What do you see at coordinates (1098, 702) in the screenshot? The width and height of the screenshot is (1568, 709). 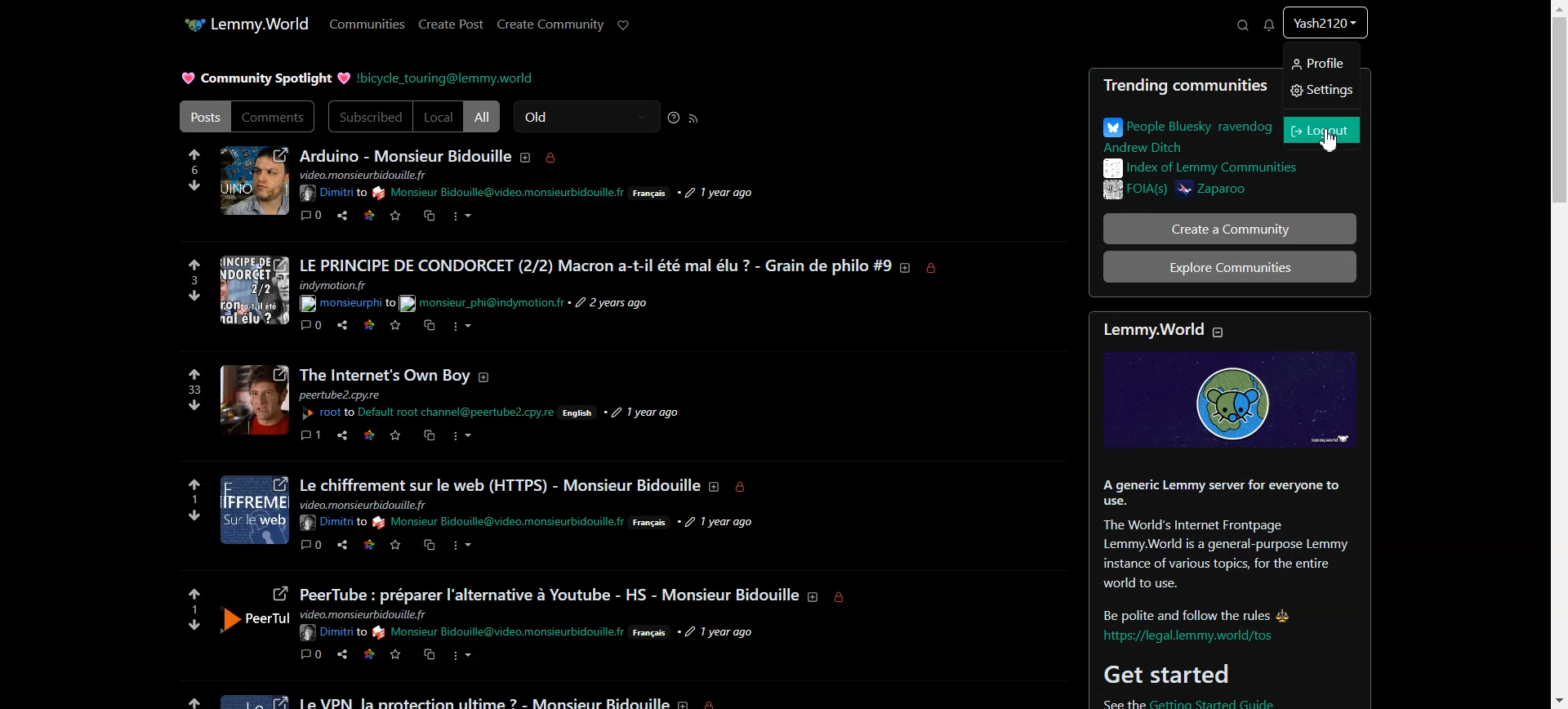 I see `See the` at bounding box center [1098, 702].